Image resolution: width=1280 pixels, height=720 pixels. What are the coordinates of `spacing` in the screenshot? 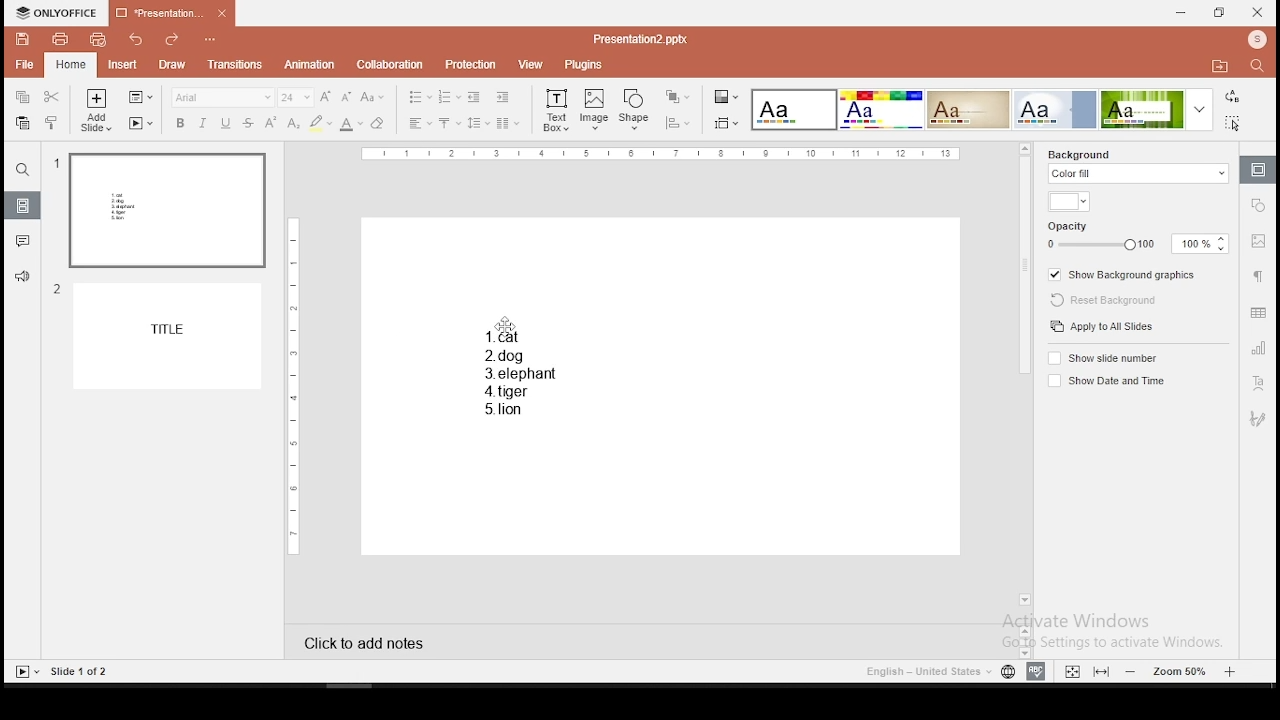 It's located at (479, 122).